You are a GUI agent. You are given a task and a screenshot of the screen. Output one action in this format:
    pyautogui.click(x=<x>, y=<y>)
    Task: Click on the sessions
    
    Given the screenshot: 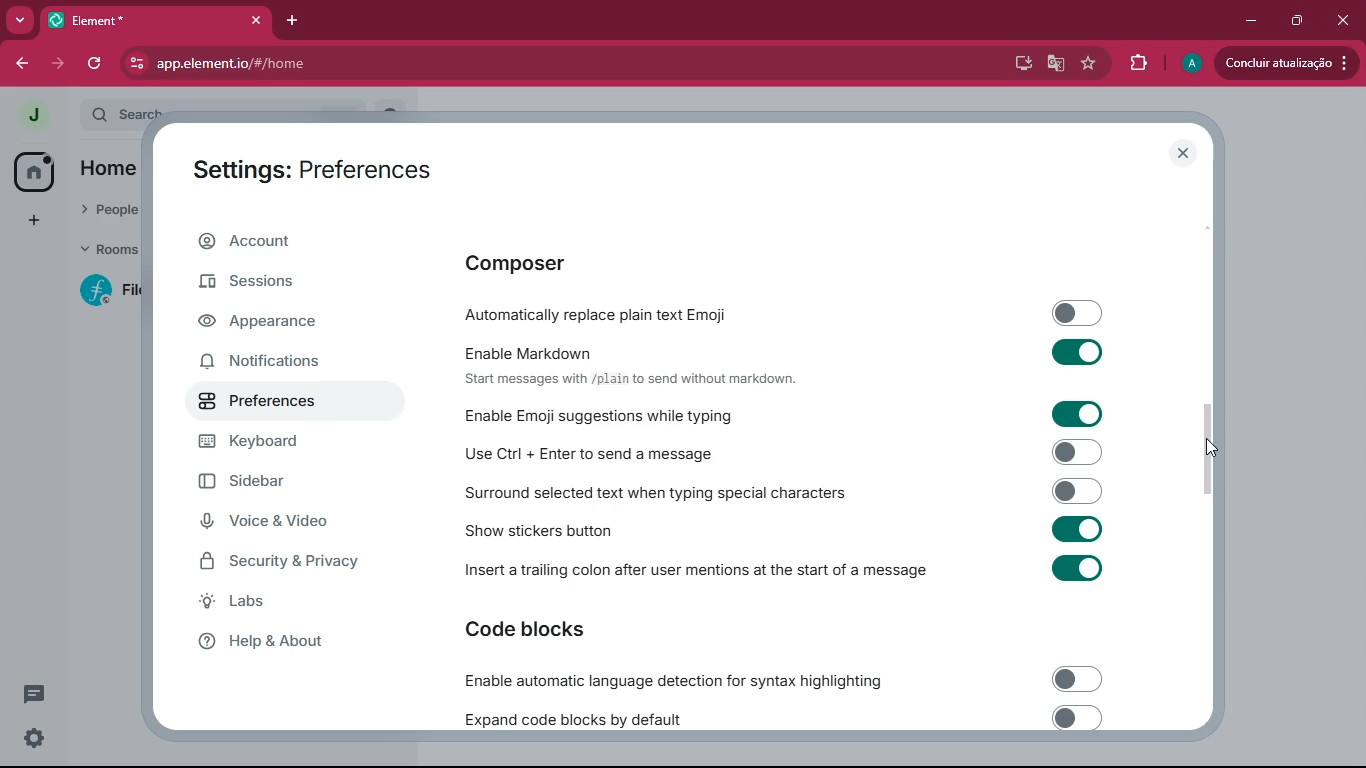 What is the action you would take?
    pyautogui.click(x=282, y=284)
    